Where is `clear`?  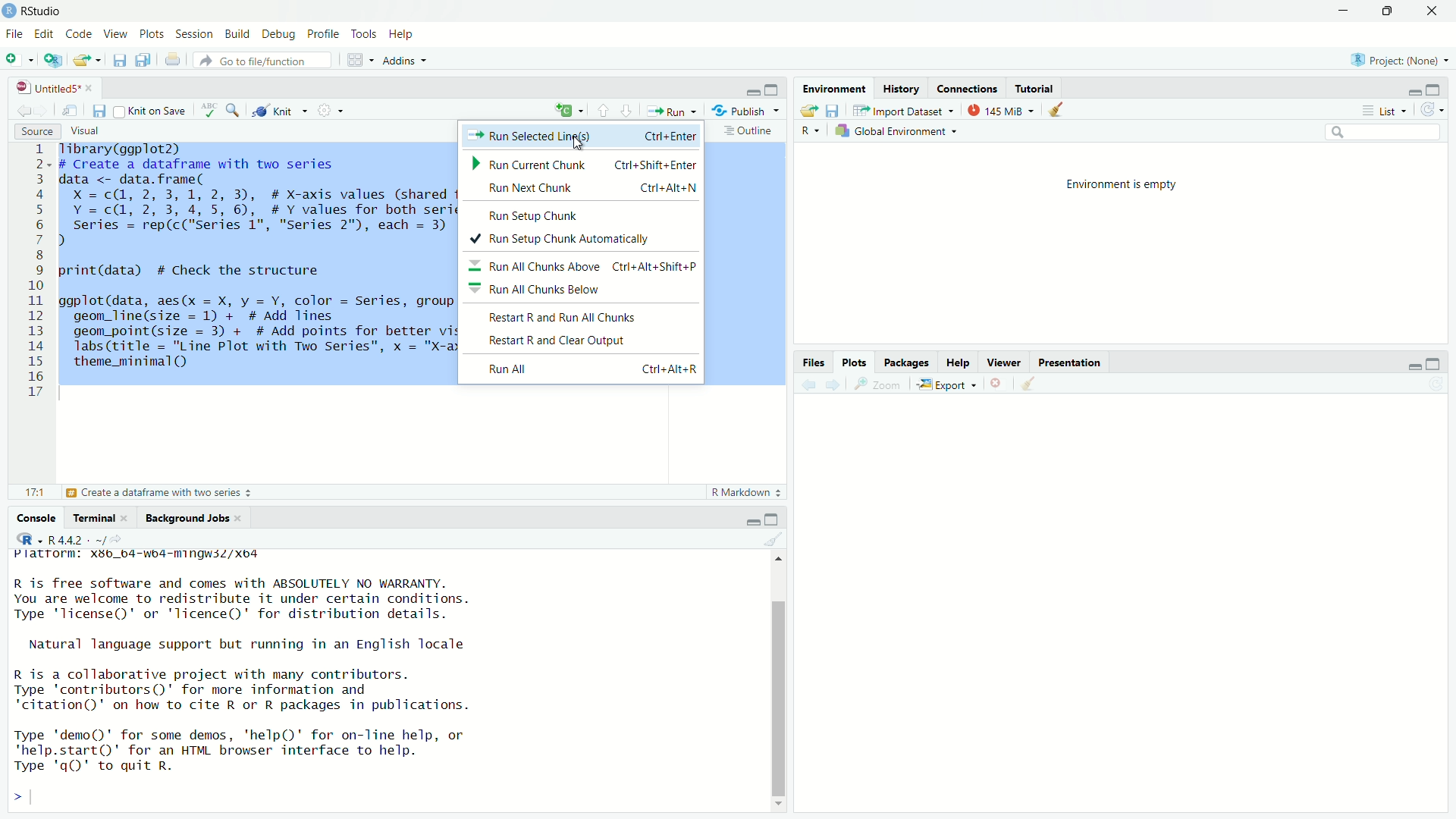 clear is located at coordinates (995, 383).